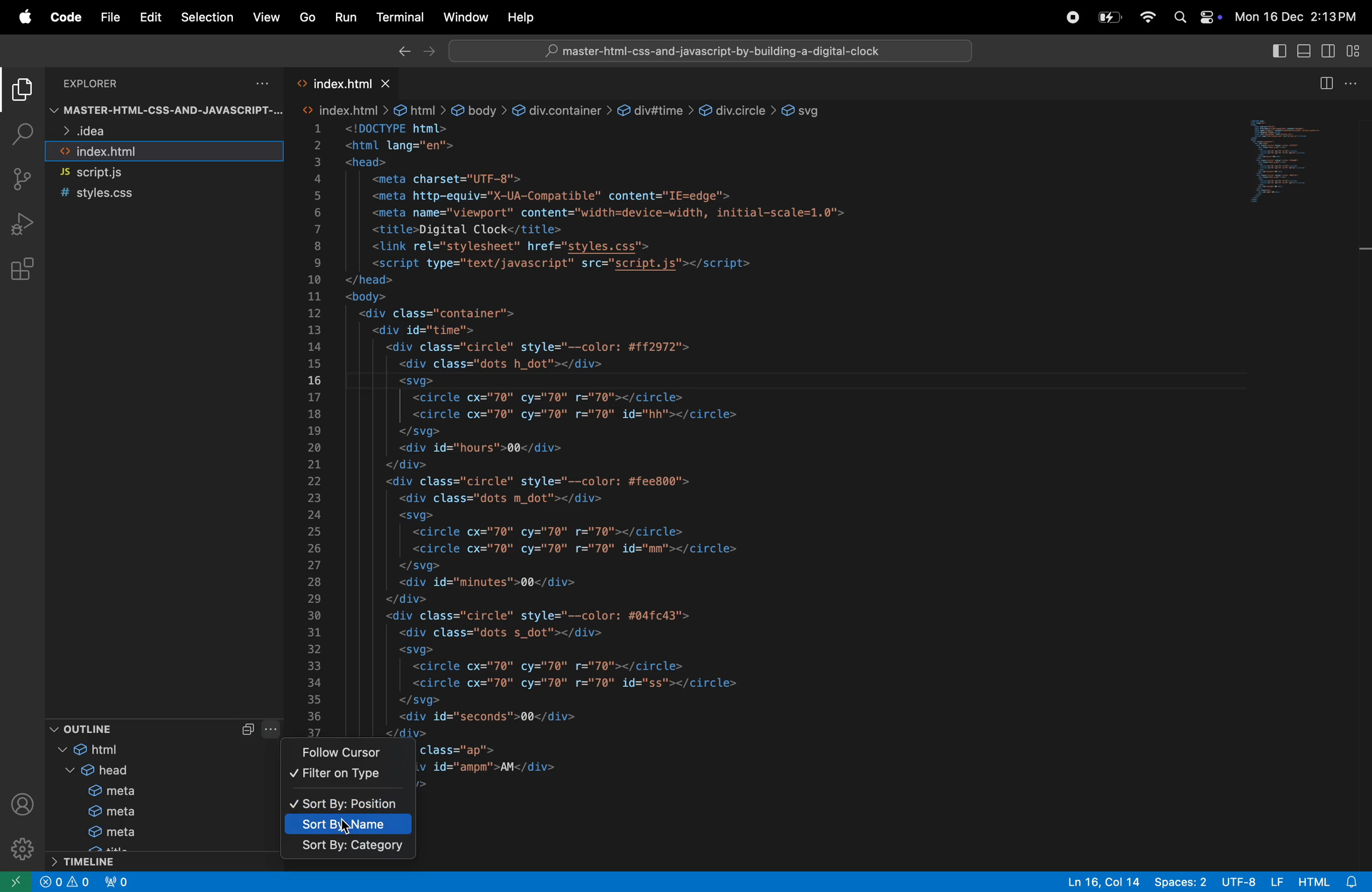 This screenshot has height=892, width=1372. Describe the element at coordinates (1358, 83) in the screenshot. I see `options` at that location.